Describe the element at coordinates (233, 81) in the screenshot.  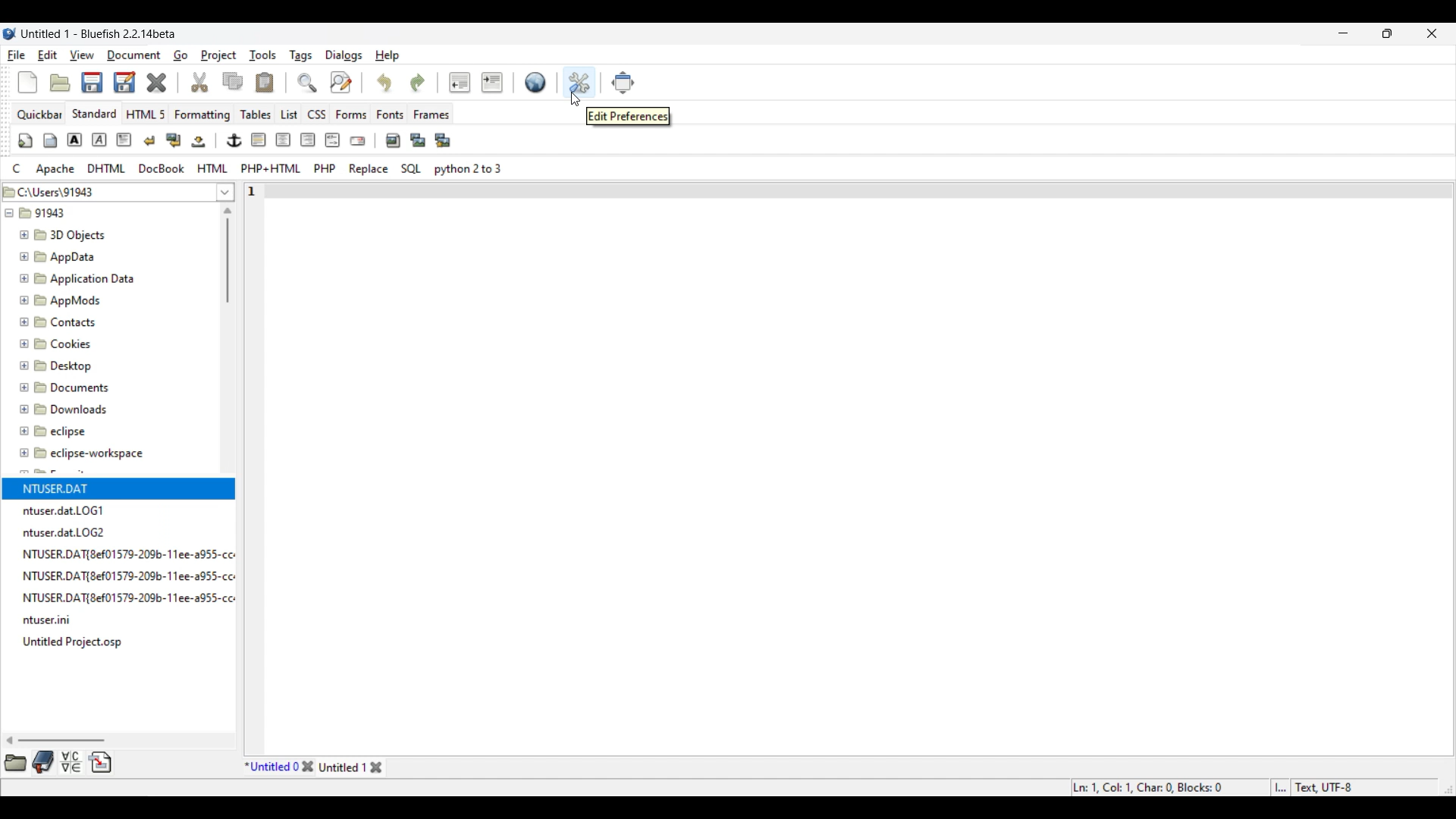
I see `Copy` at that location.